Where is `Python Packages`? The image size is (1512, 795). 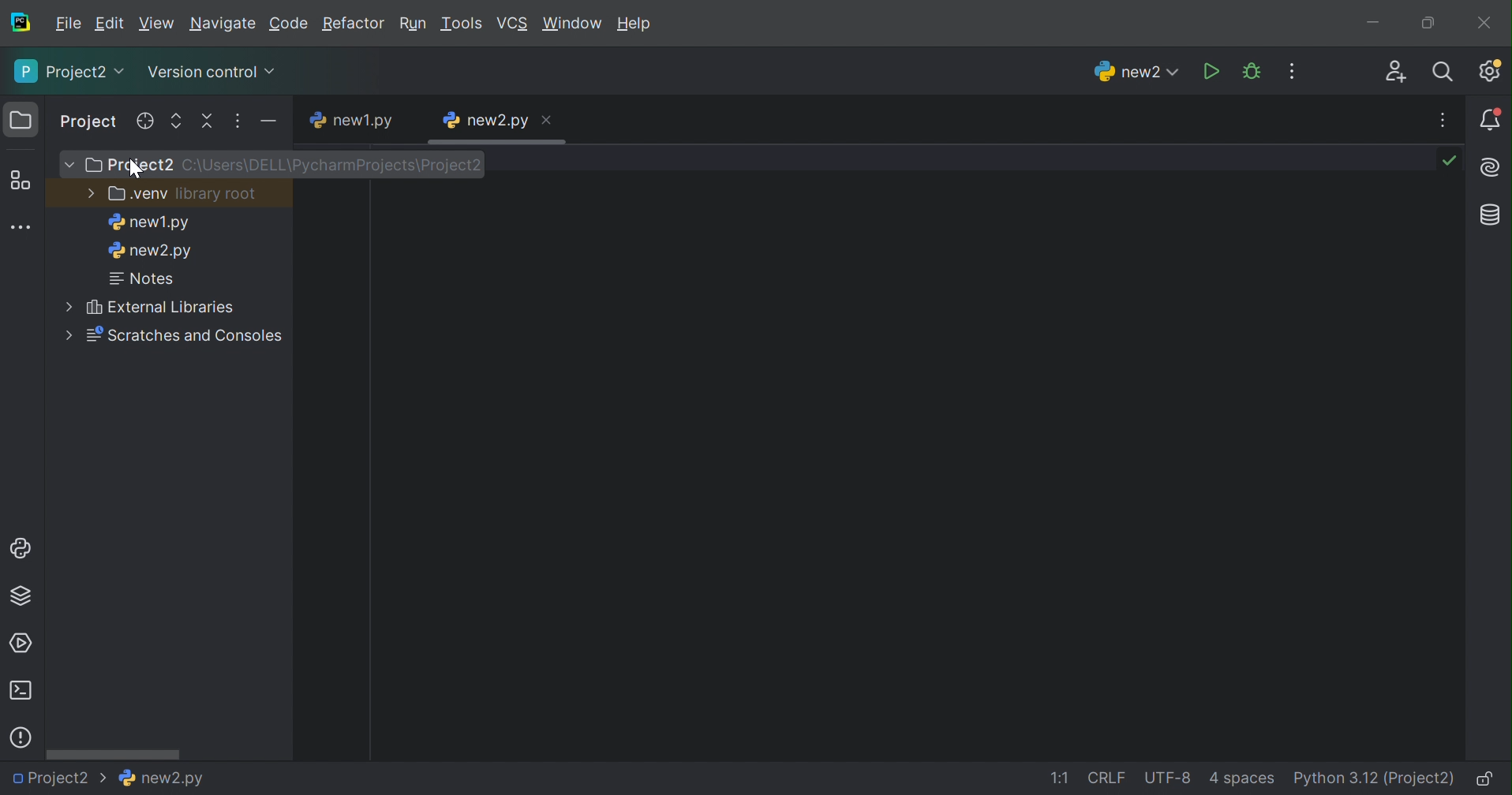
Python Packages is located at coordinates (24, 599).